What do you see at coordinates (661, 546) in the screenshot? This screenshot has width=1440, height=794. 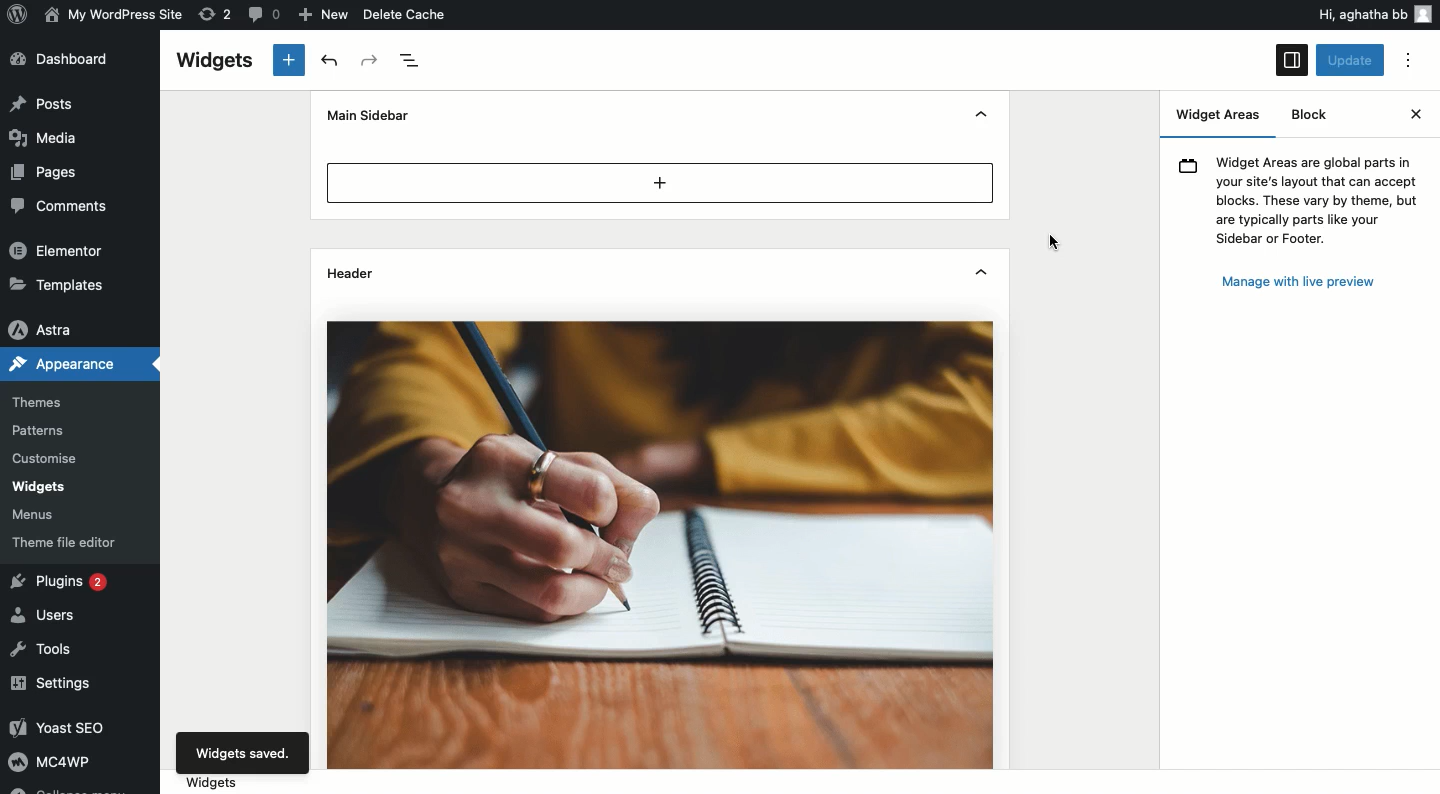 I see `Header image added` at bounding box center [661, 546].